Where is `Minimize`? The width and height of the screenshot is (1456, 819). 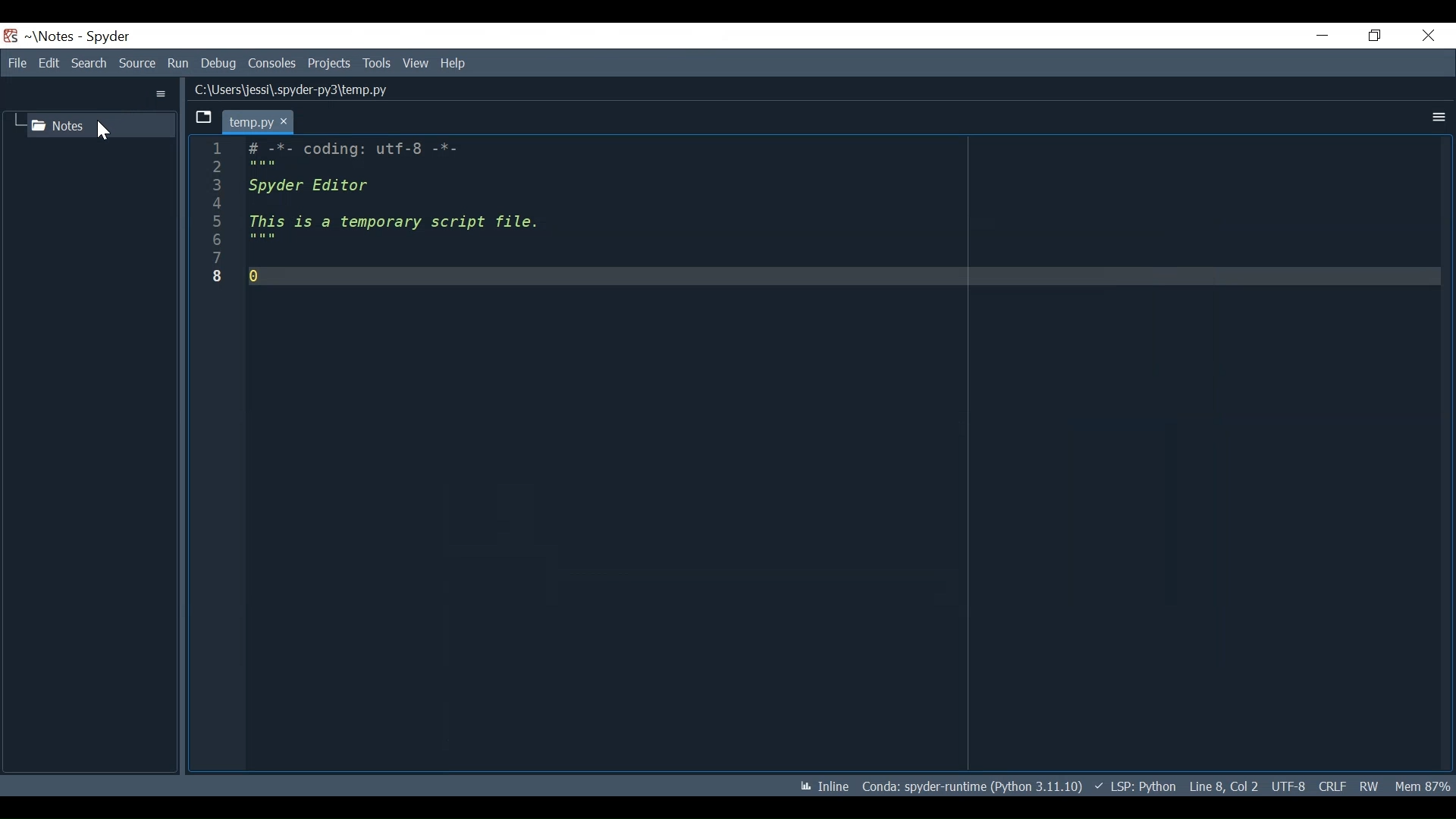
Minimize is located at coordinates (1322, 34).